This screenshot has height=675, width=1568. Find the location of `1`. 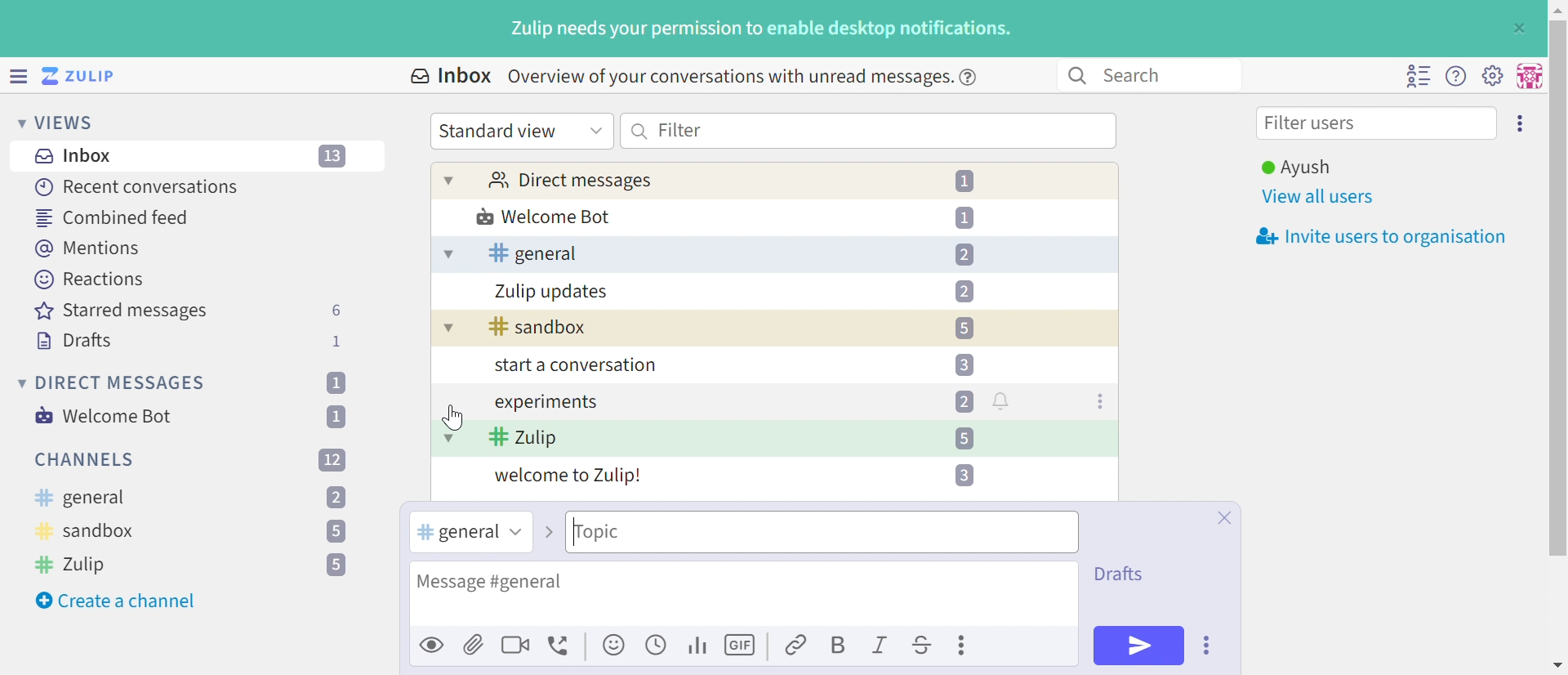

1 is located at coordinates (964, 217).